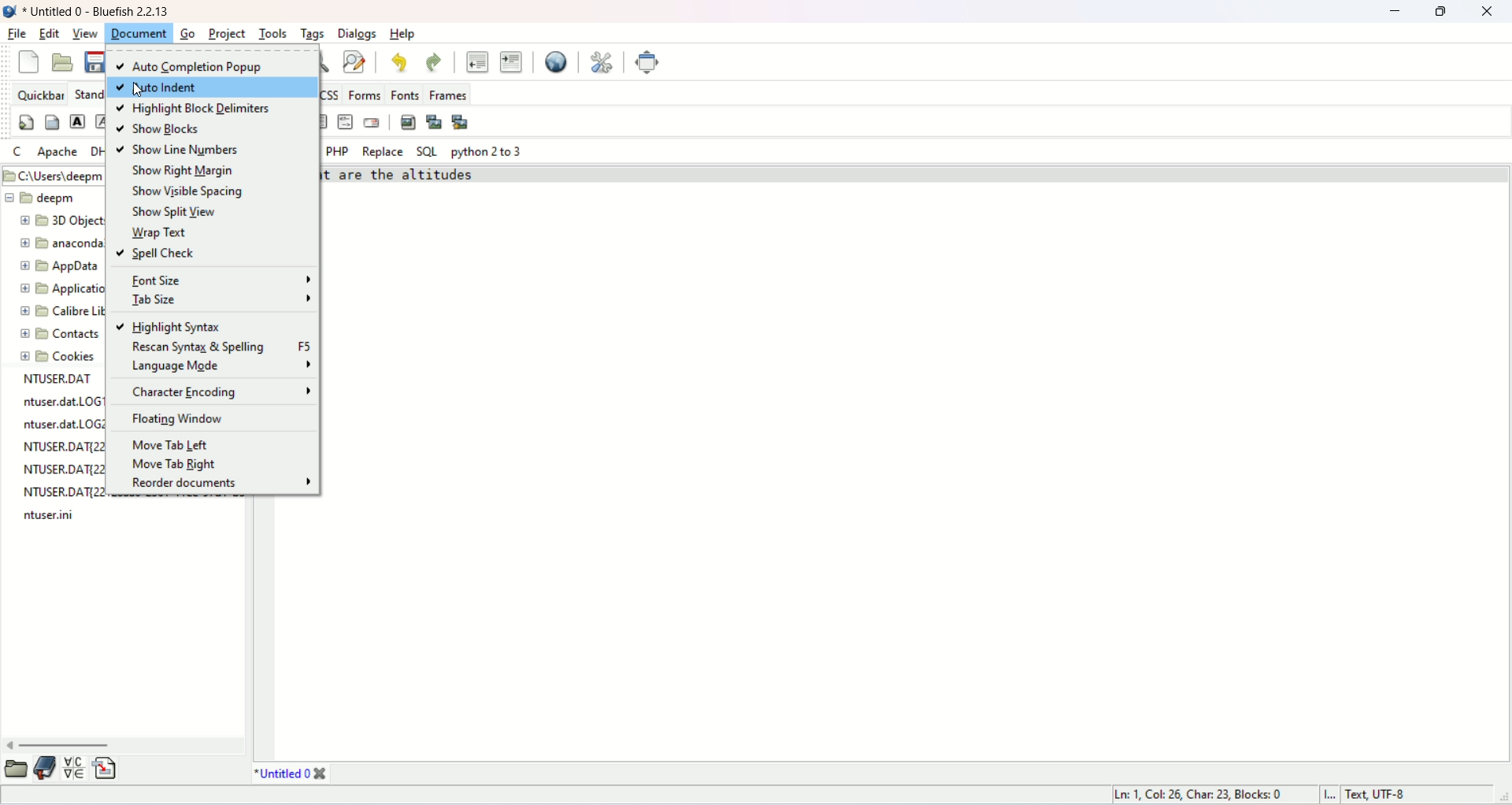 The width and height of the screenshot is (1512, 805). What do you see at coordinates (16, 151) in the screenshot?
I see `C` at bounding box center [16, 151].